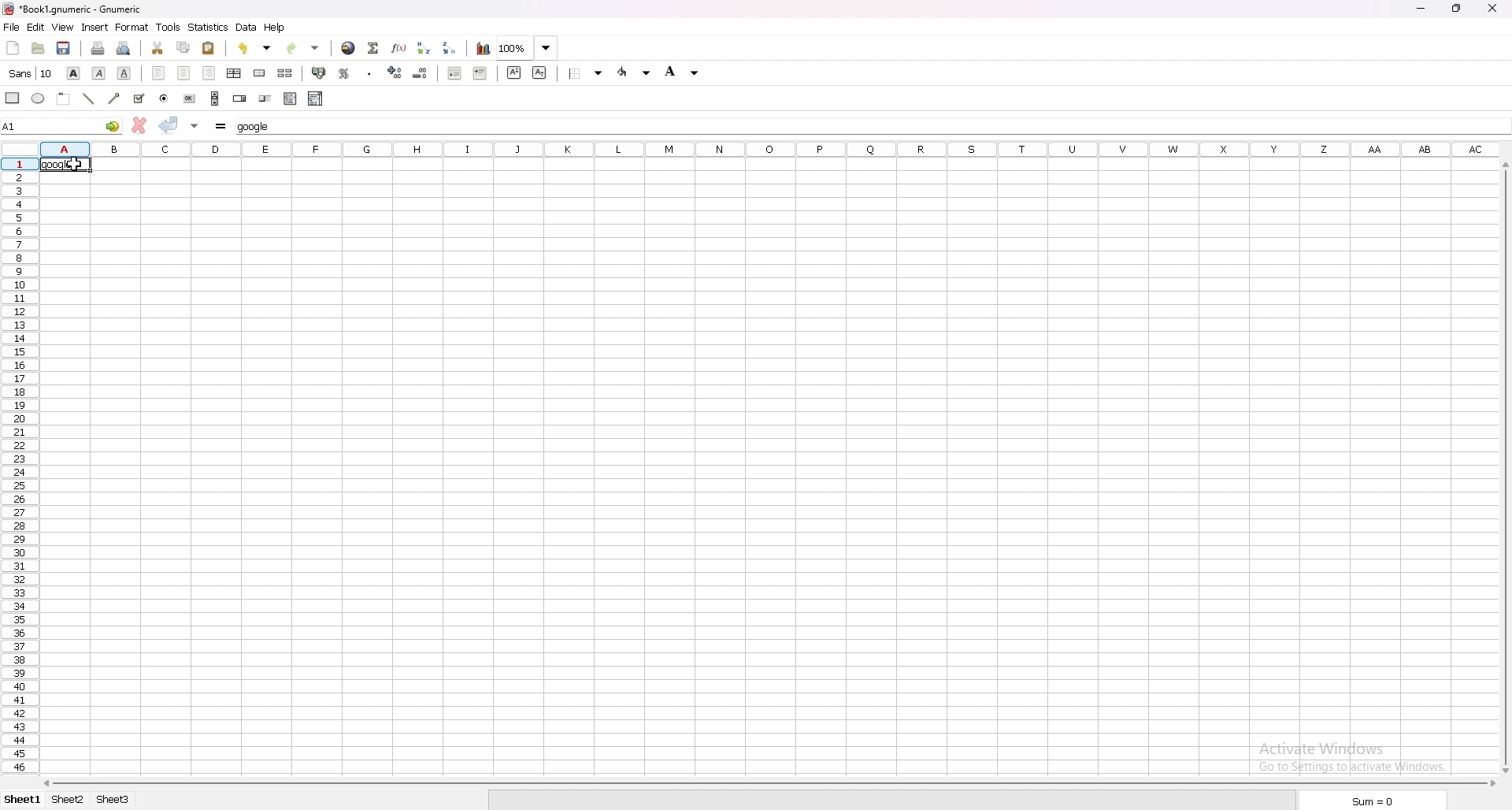 The image size is (1512, 810). I want to click on new, so click(13, 48).